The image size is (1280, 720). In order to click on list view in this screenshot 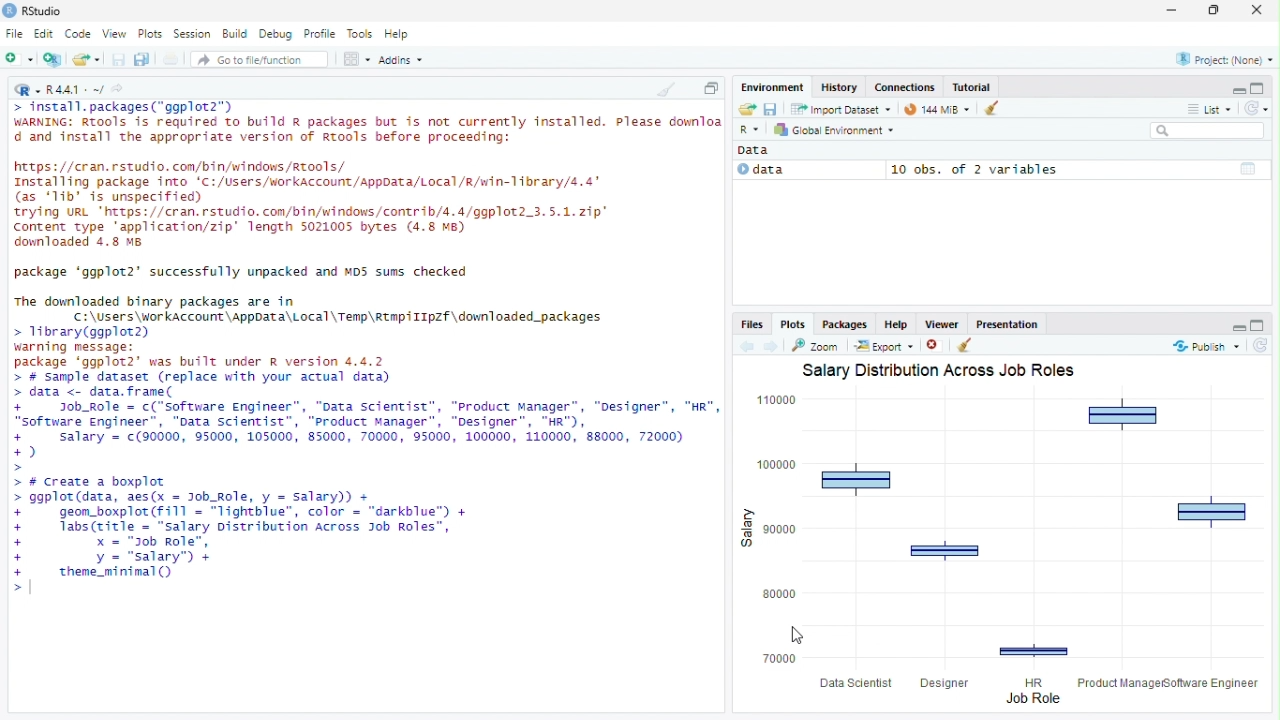, I will do `click(1208, 109)`.